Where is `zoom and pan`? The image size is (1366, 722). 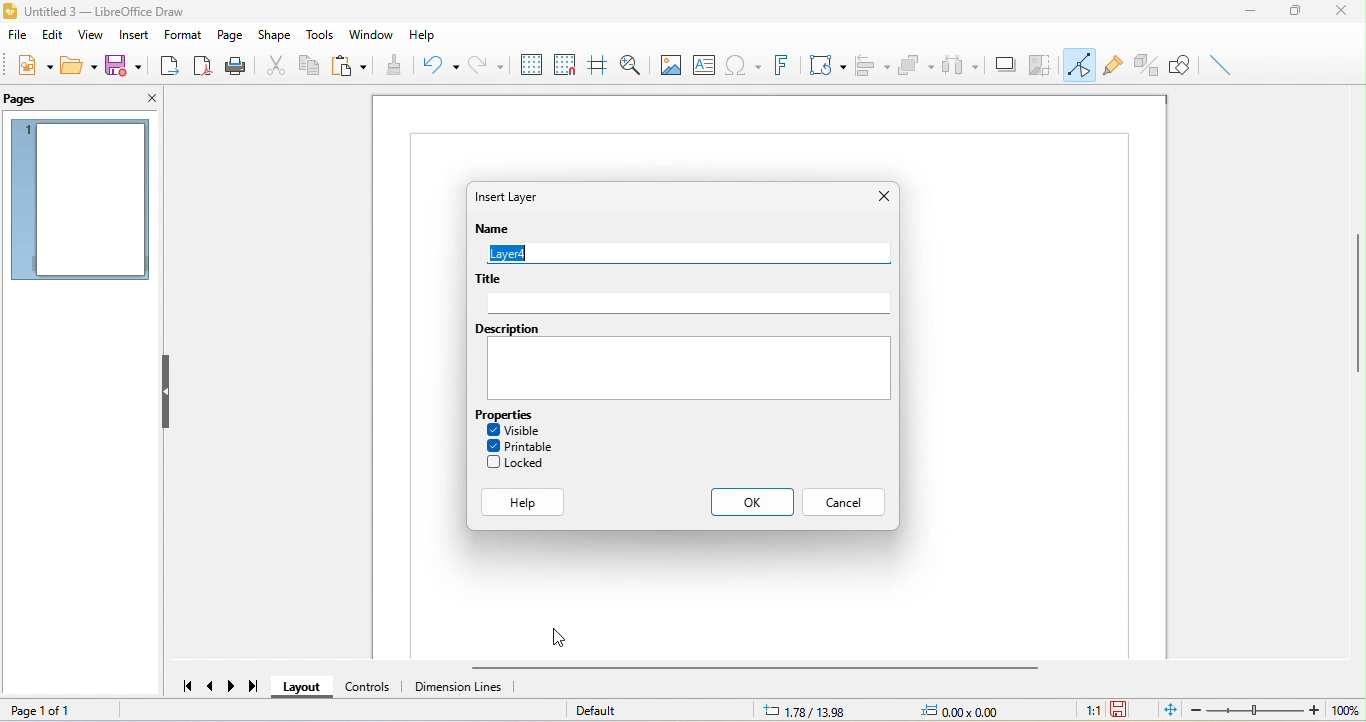 zoom and pan is located at coordinates (632, 65).